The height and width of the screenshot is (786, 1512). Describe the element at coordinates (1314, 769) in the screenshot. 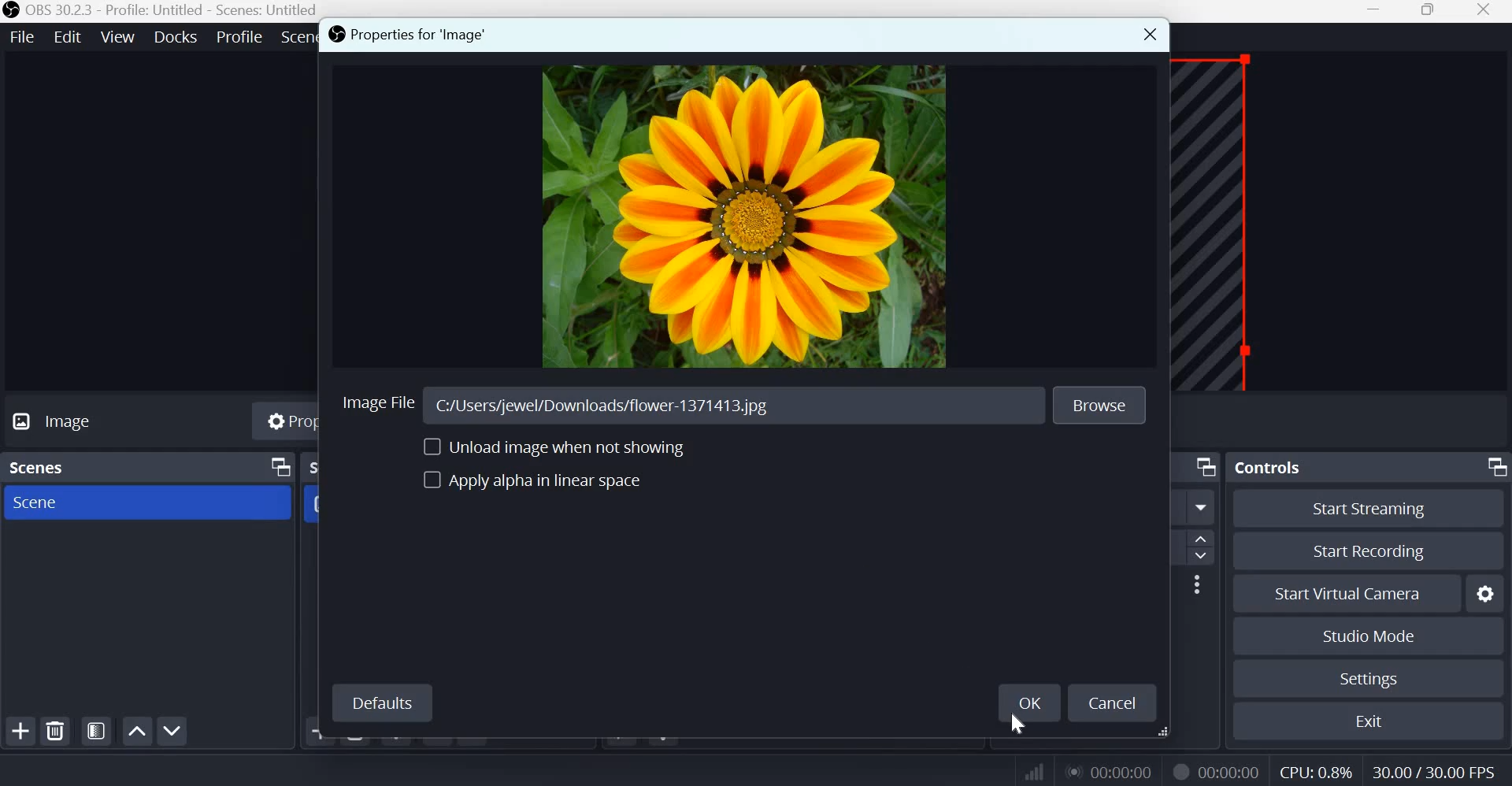

I see `CPU: 0.8%` at that location.